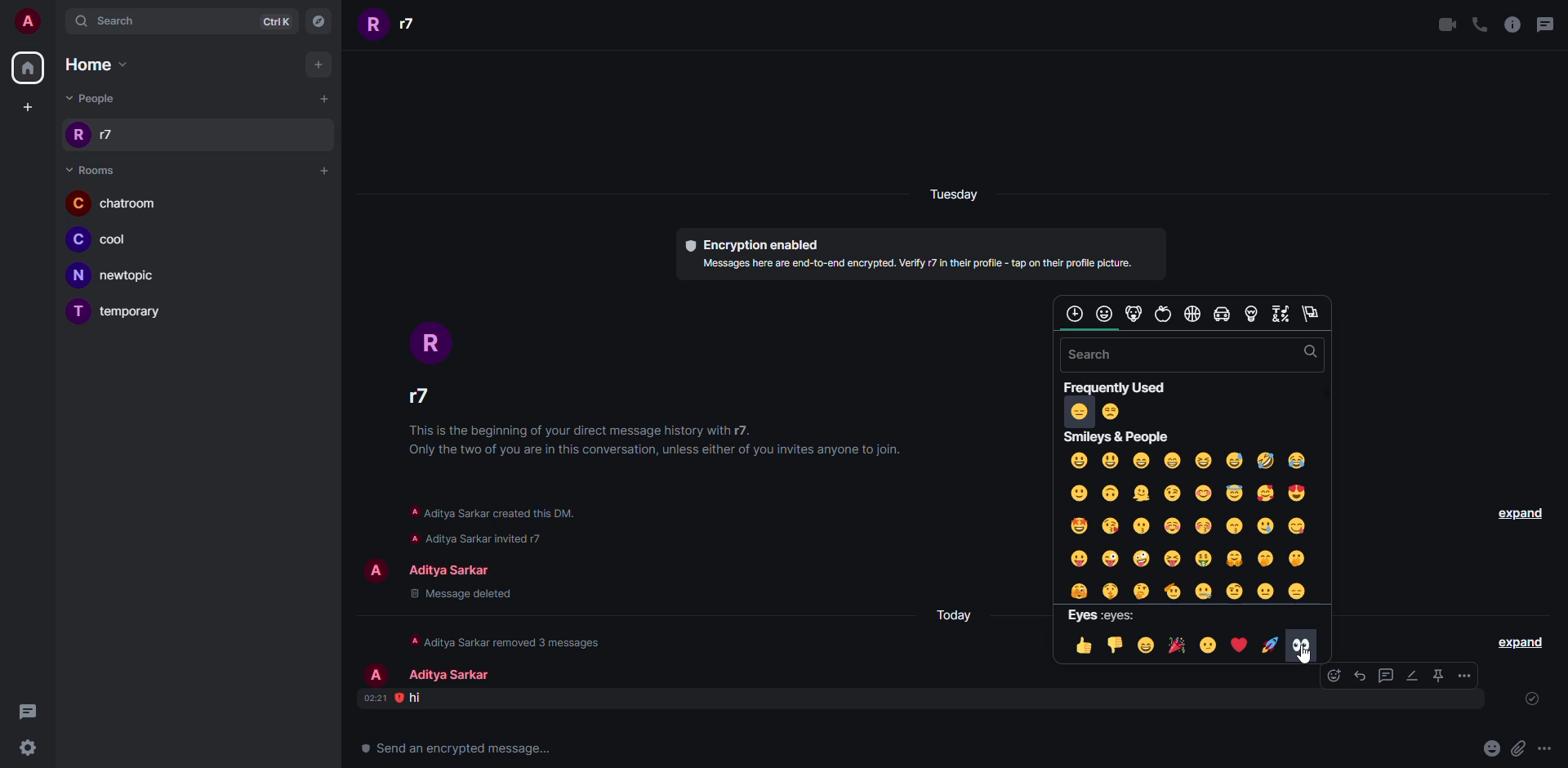  Describe the element at coordinates (105, 66) in the screenshot. I see `home` at that location.